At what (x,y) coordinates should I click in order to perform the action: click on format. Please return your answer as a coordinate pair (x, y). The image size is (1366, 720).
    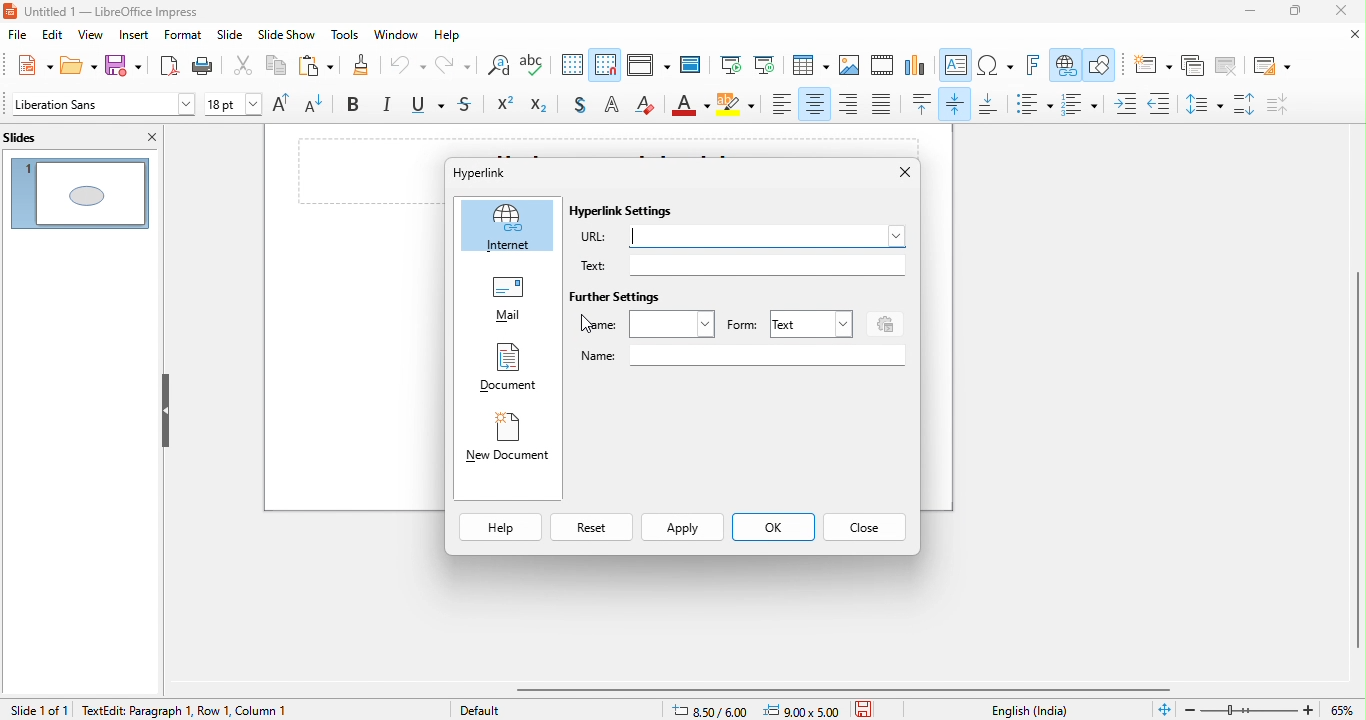
    Looking at the image, I should click on (183, 36).